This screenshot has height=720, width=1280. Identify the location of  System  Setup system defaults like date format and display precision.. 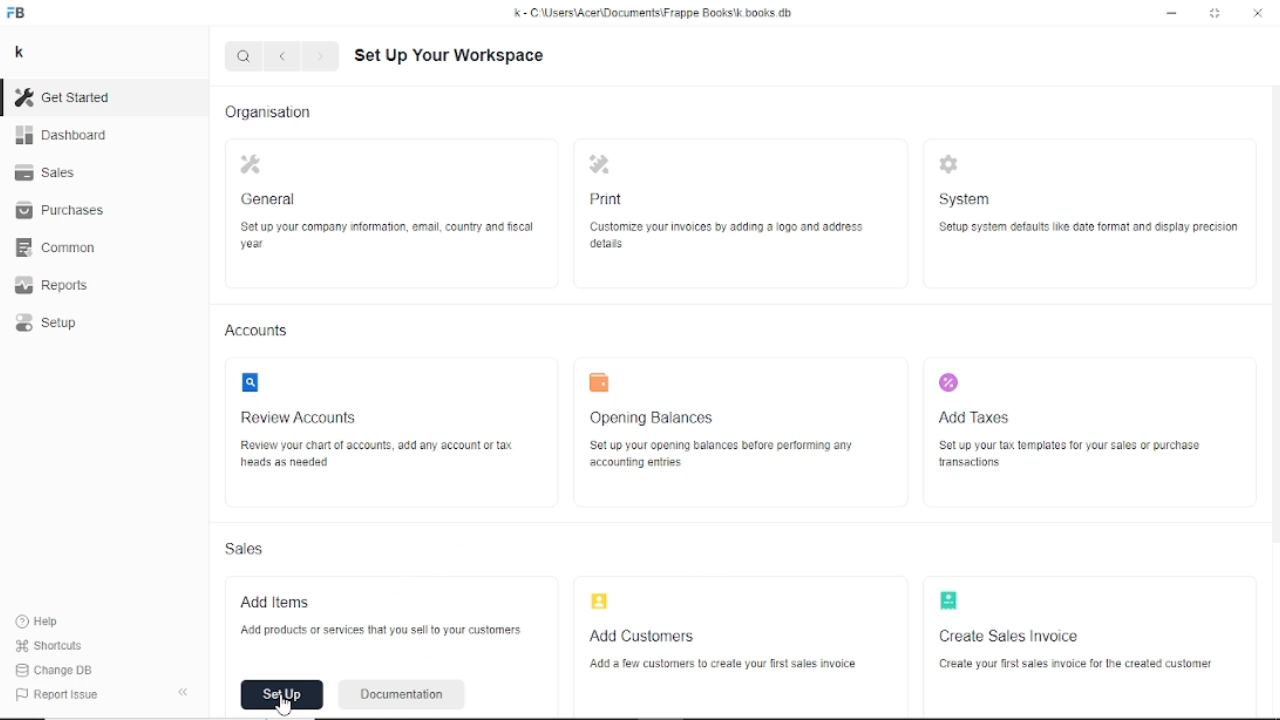
(1089, 200).